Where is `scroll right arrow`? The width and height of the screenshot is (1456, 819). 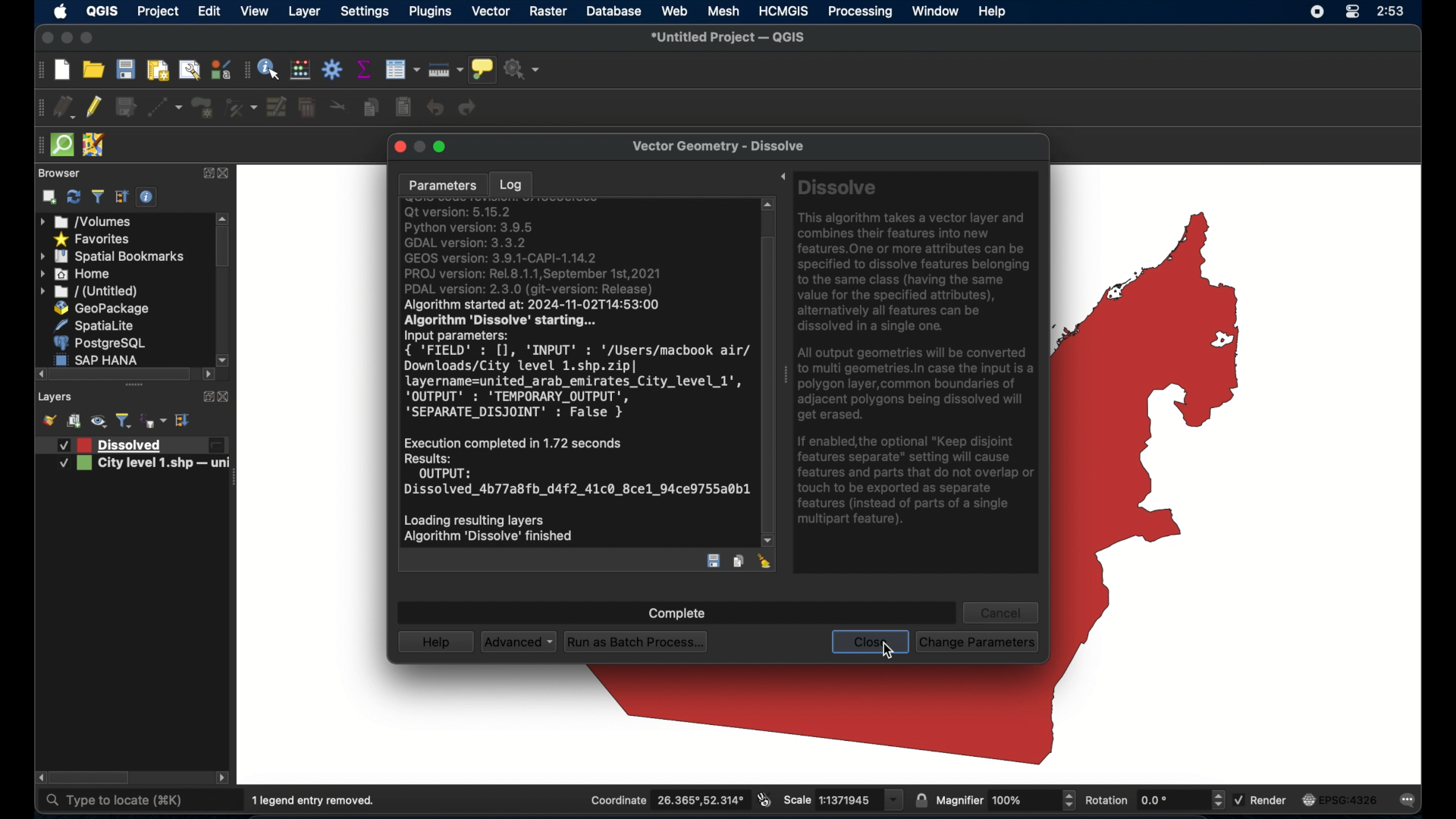 scroll right arrow is located at coordinates (39, 778).